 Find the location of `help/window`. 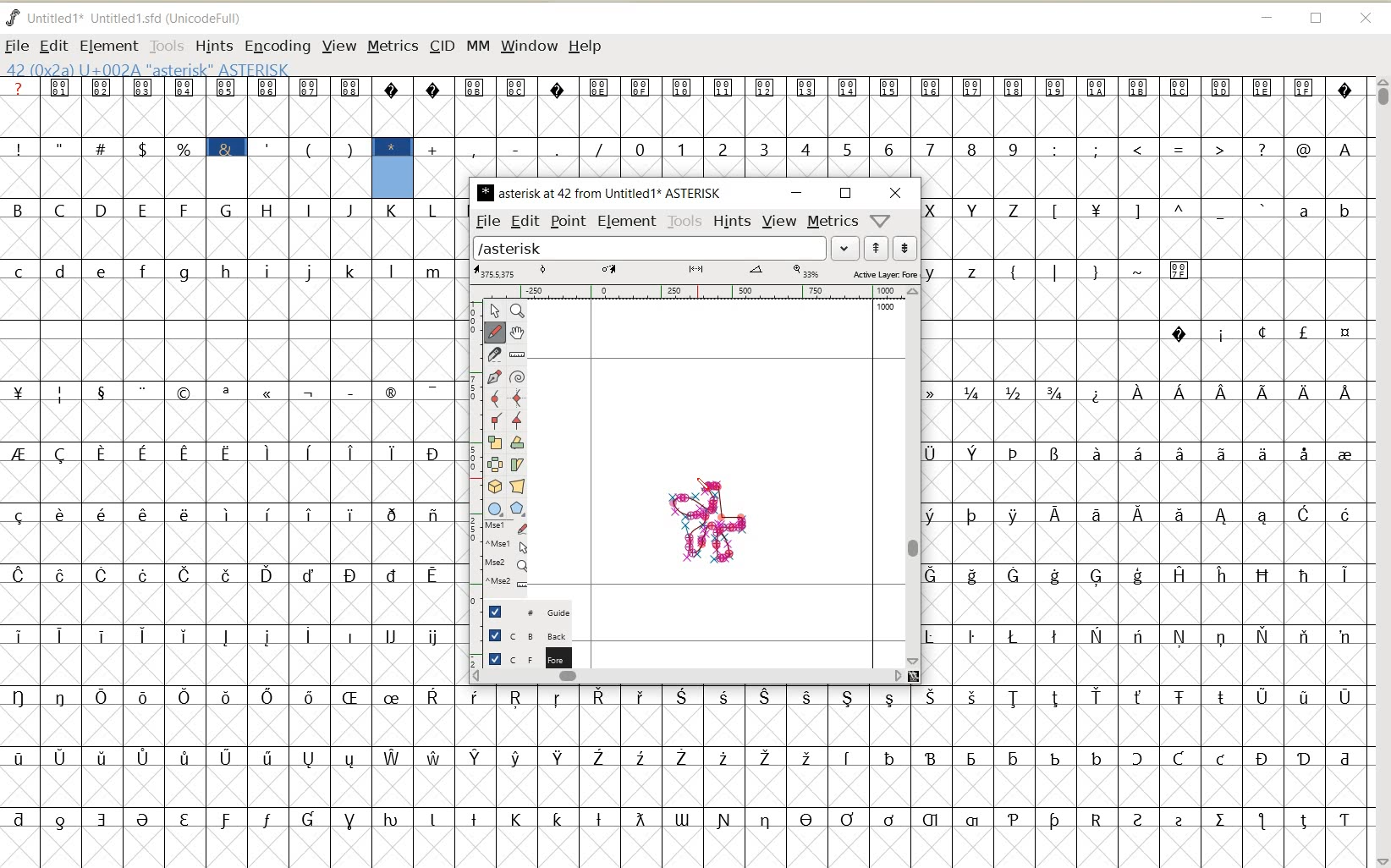

help/window is located at coordinates (882, 222).